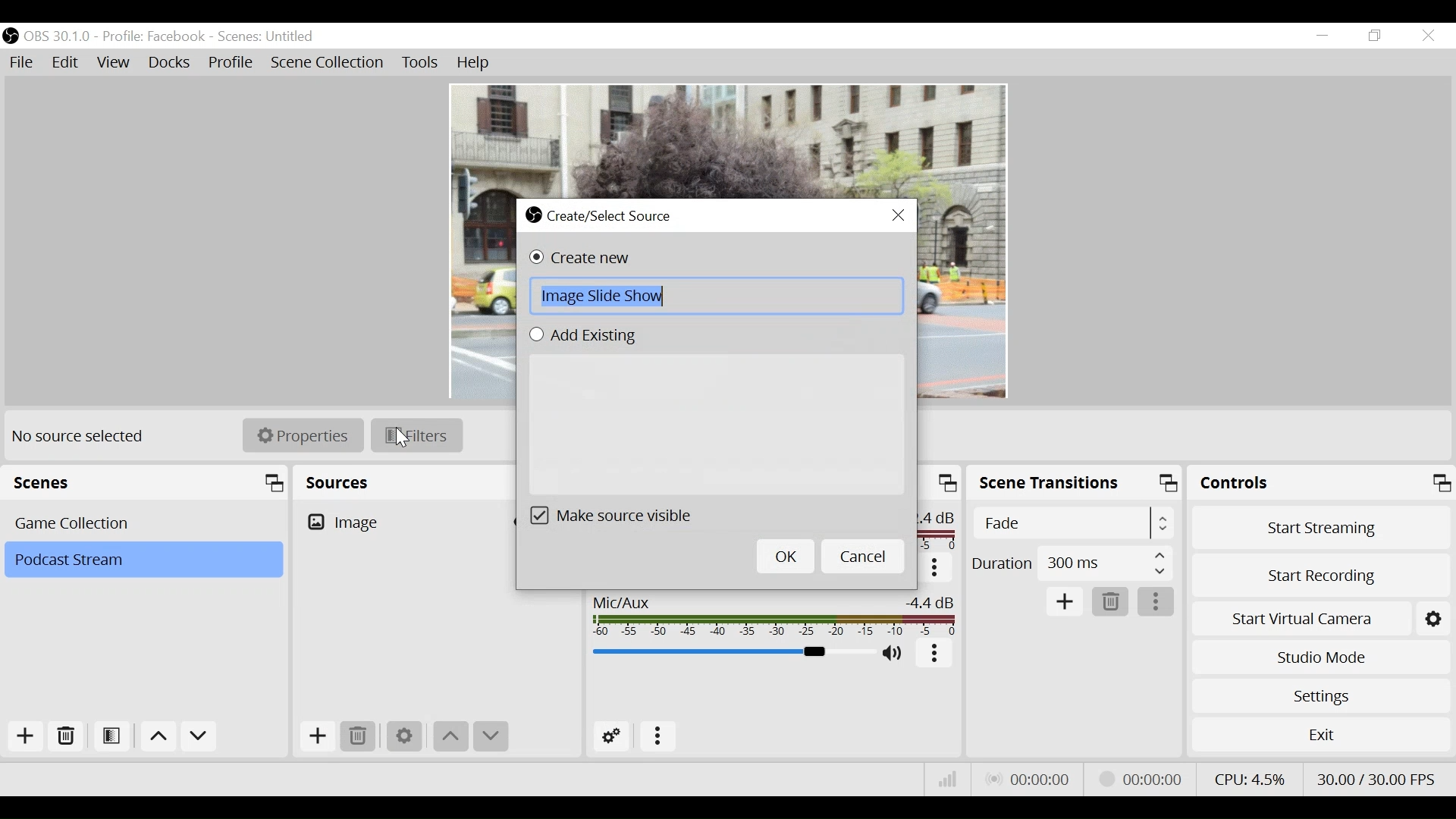 The width and height of the screenshot is (1456, 819). I want to click on Settings, so click(404, 736).